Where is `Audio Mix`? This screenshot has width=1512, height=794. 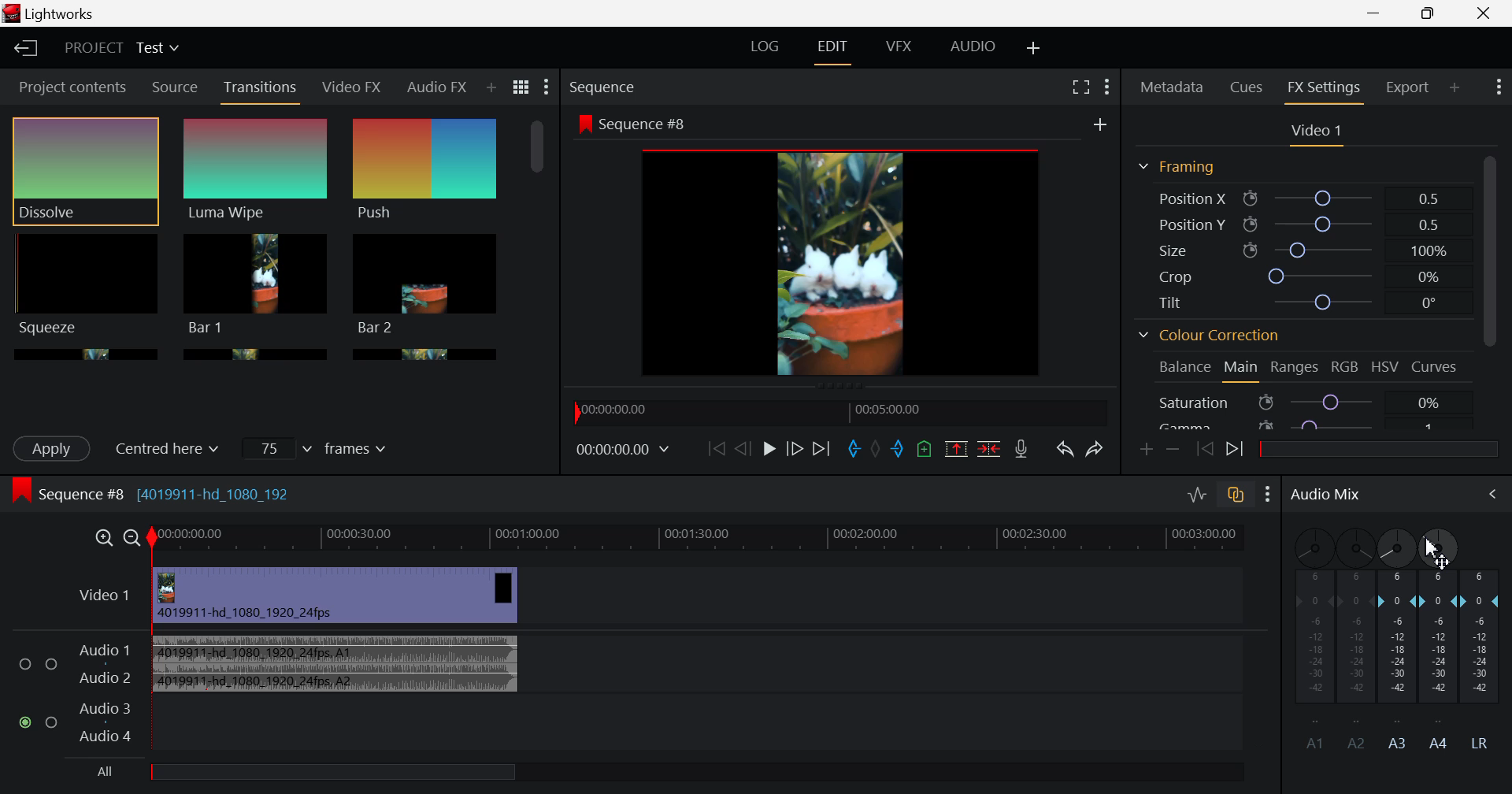 Audio Mix is located at coordinates (1324, 497).